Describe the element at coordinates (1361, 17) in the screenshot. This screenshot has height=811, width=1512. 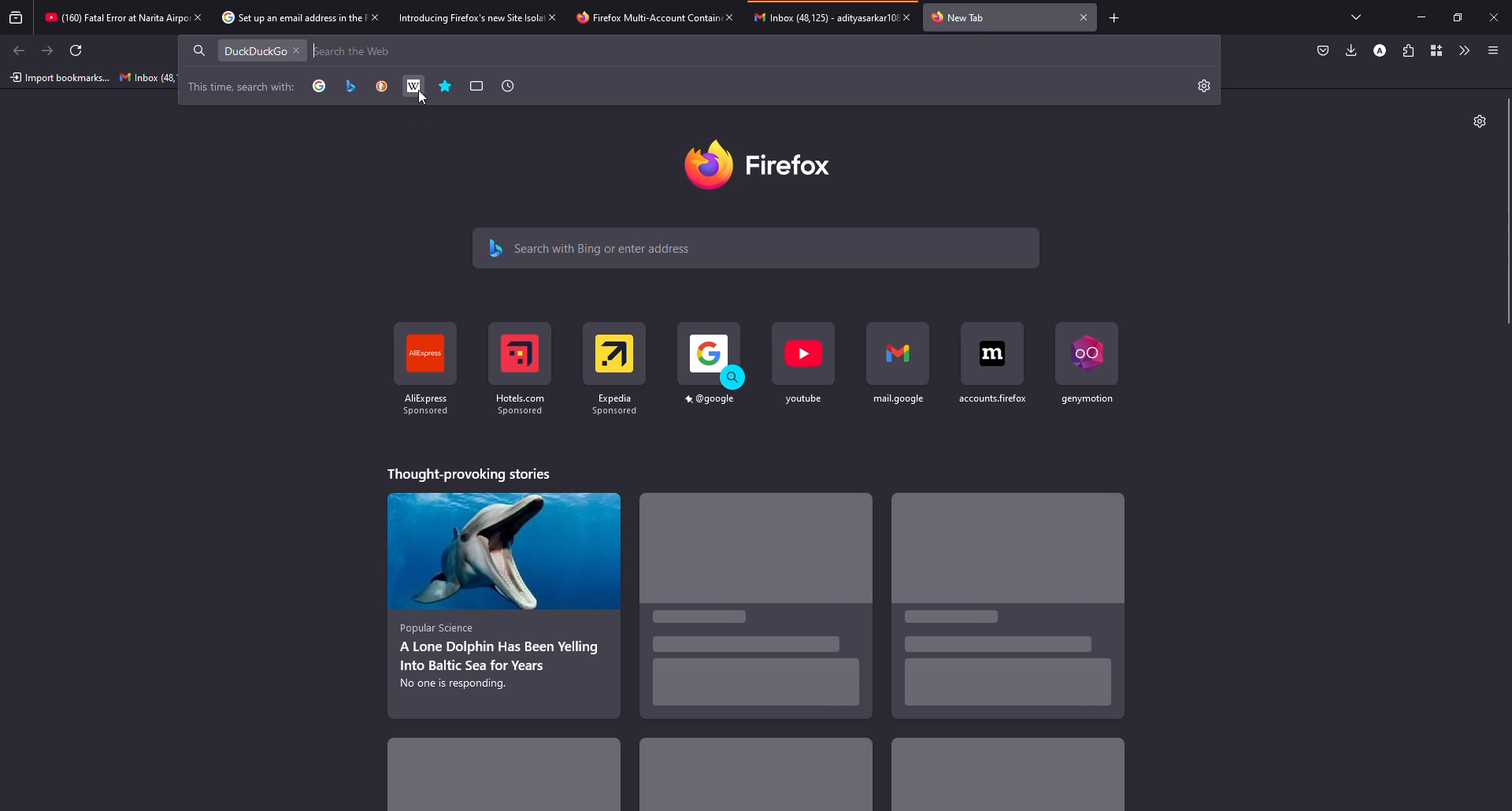
I see `tabs` at that location.